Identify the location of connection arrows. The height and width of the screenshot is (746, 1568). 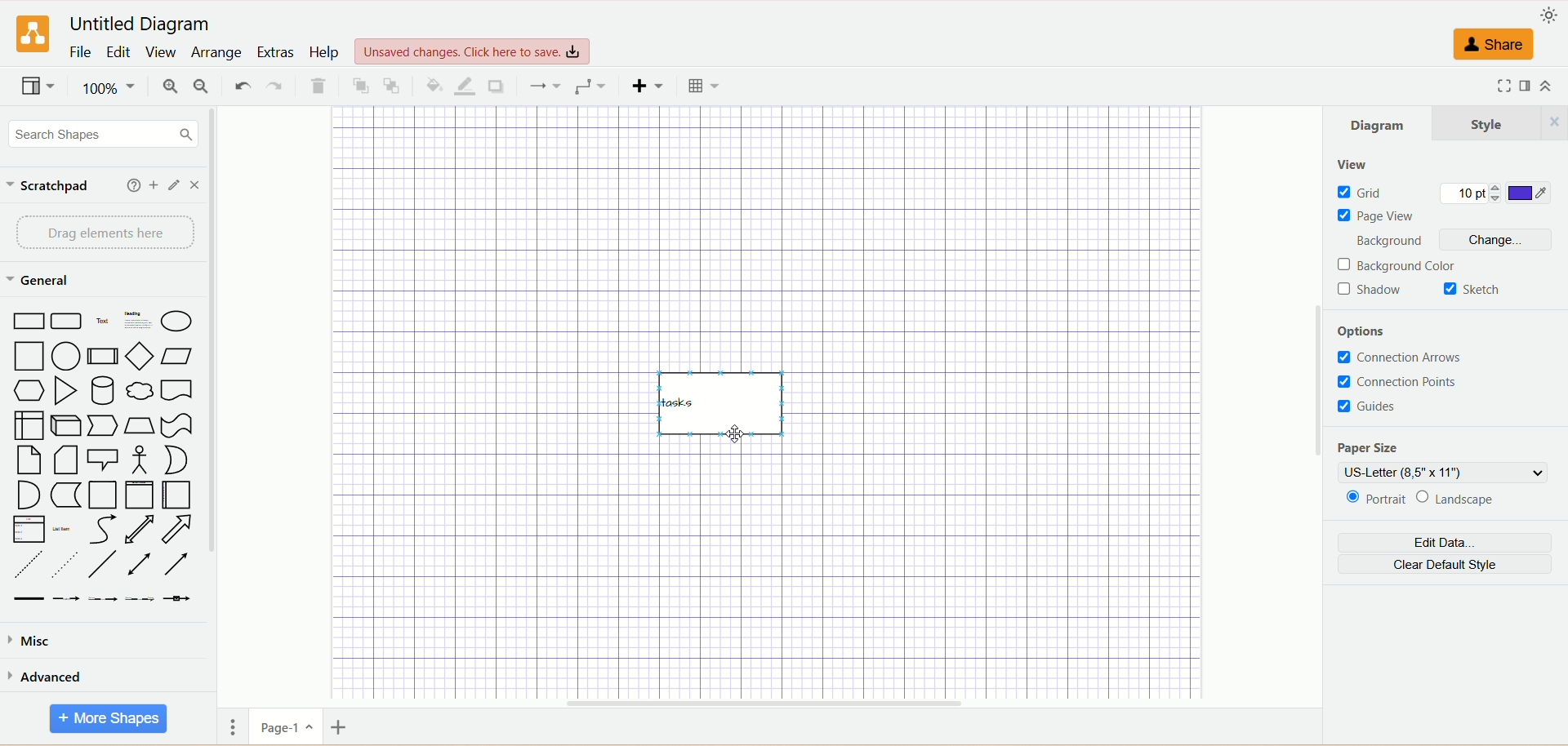
(1414, 357).